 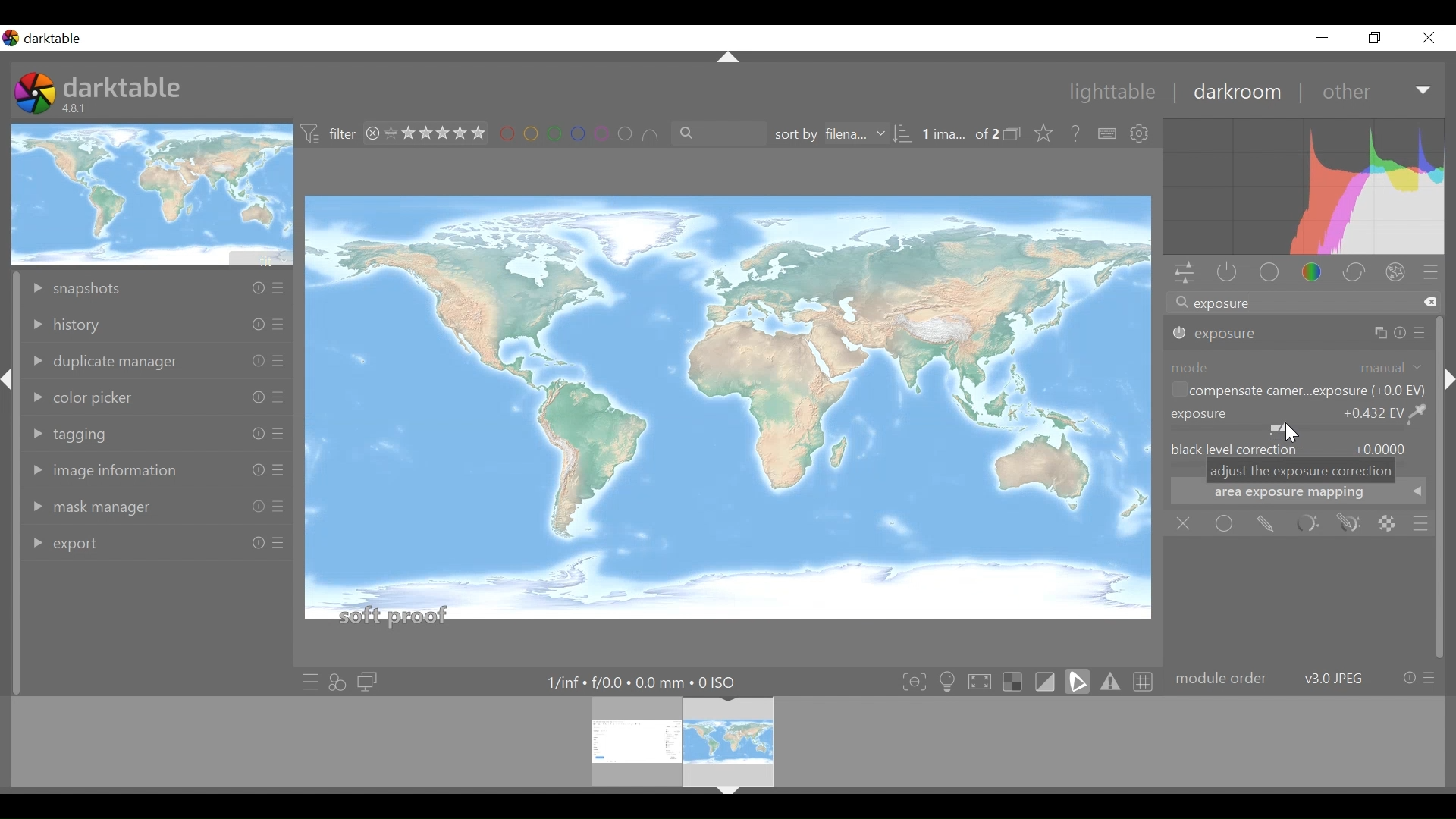 I want to click on display a second darkroom image, so click(x=370, y=682).